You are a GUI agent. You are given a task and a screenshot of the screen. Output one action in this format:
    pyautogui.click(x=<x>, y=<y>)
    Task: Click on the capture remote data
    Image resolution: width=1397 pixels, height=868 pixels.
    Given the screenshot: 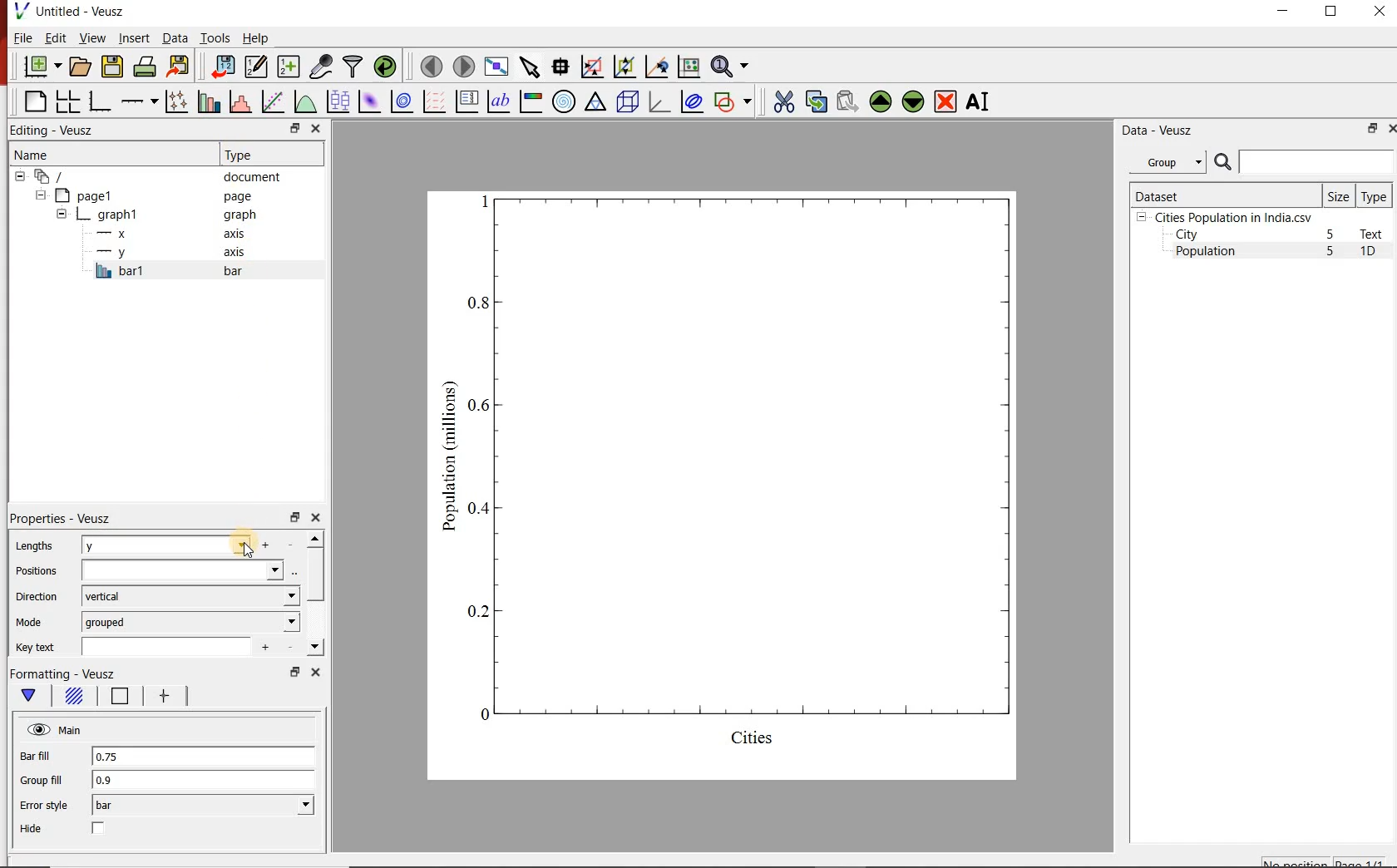 What is the action you would take?
    pyautogui.click(x=319, y=67)
    